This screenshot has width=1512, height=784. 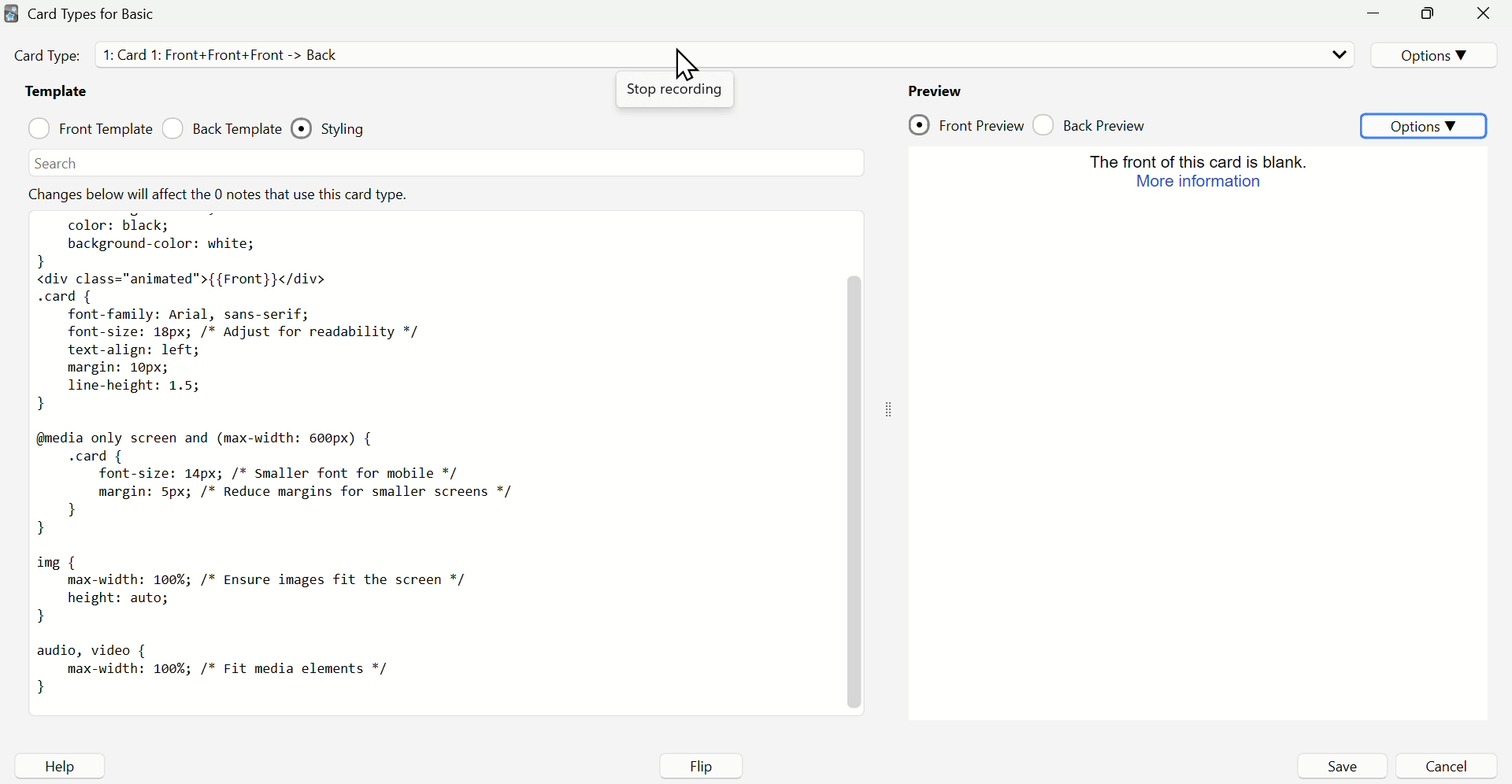 What do you see at coordinates (57, 94) in the screenshot?
I see `Template` at bounding box center [57, 94].